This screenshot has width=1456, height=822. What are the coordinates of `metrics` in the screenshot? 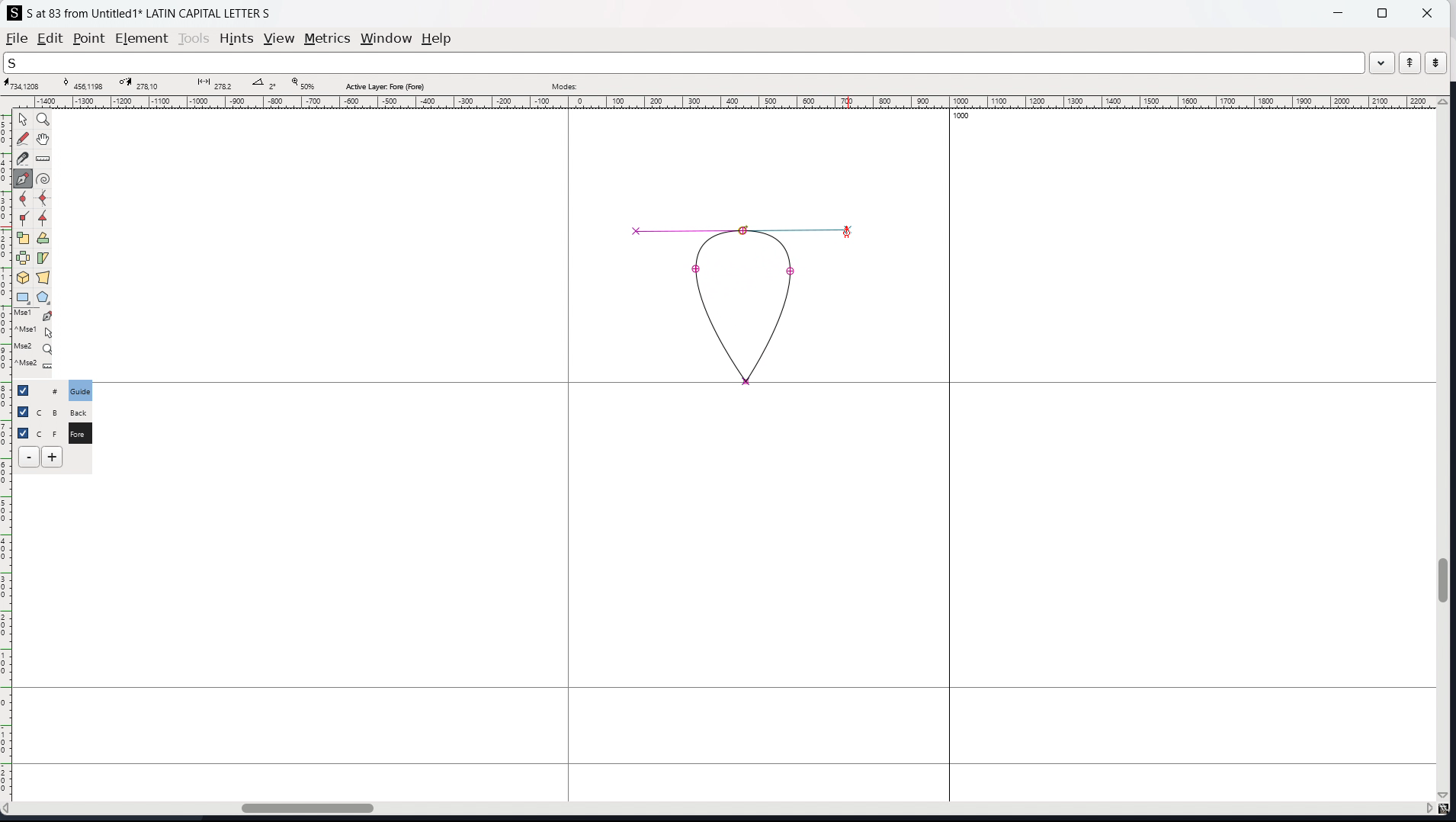 It's located at (327, 38).